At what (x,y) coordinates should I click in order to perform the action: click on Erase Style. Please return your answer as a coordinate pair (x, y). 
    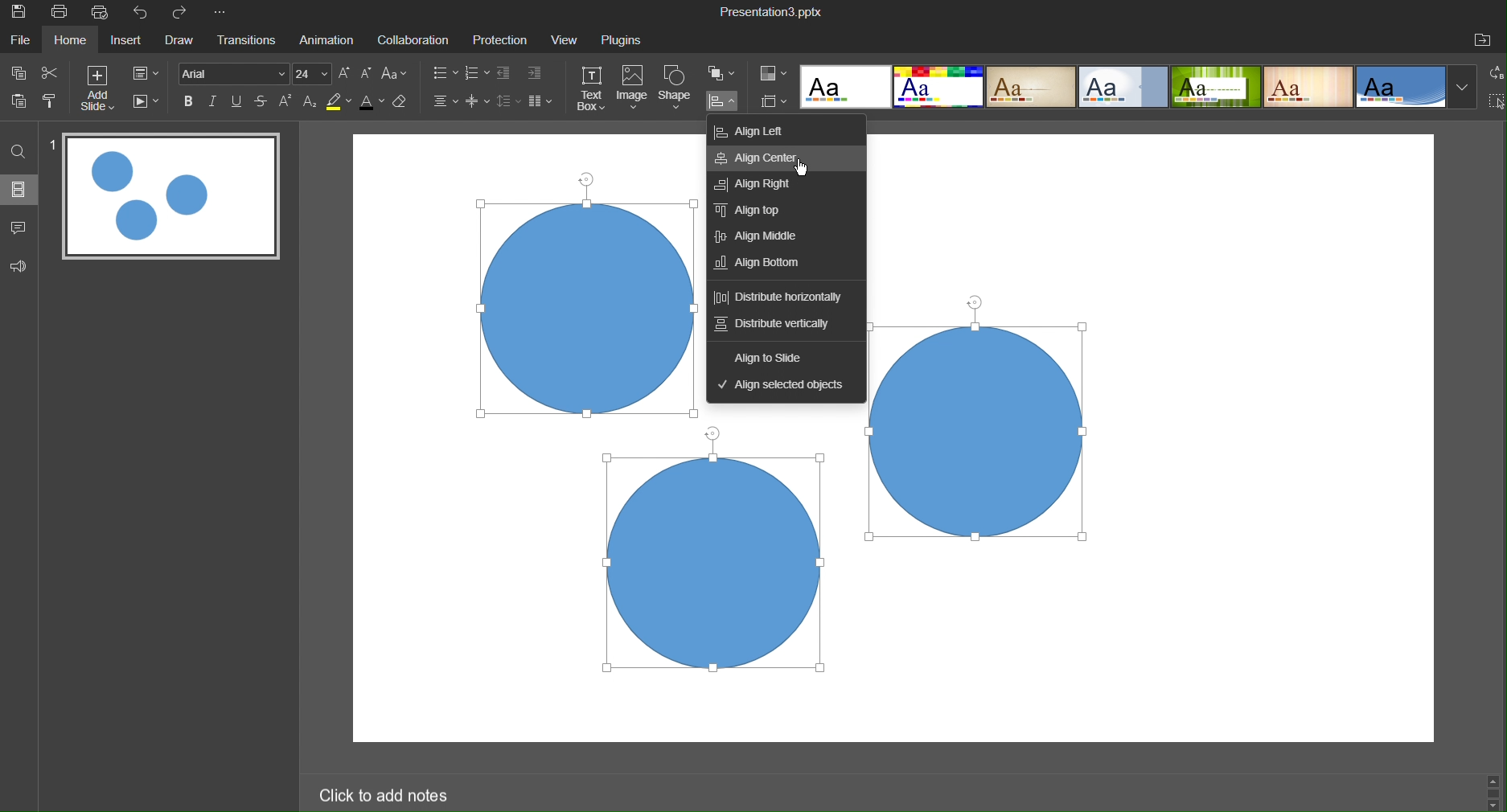
    Looking at the image, I should click on (404, 104).